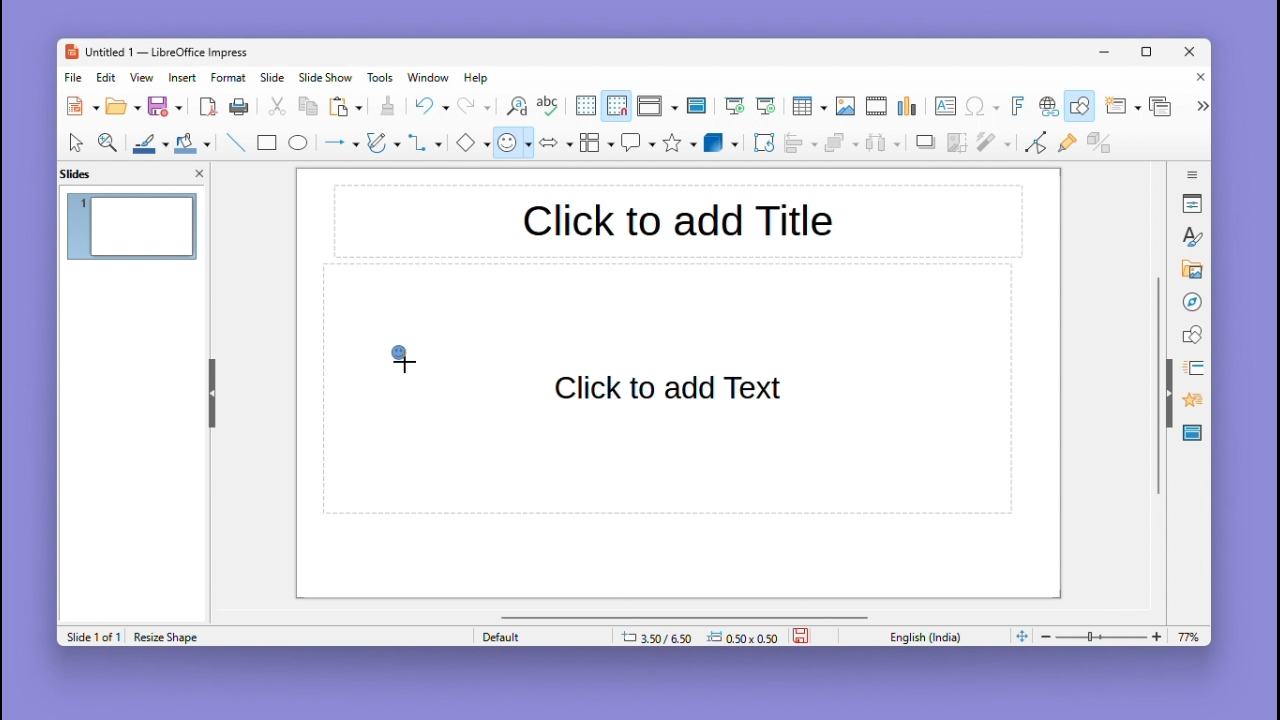 Image resolution: width=1280 pixels, height=720 pixels. Describe the element at coordinates (876, 107) in the screenshot. I see `Video` at that location.